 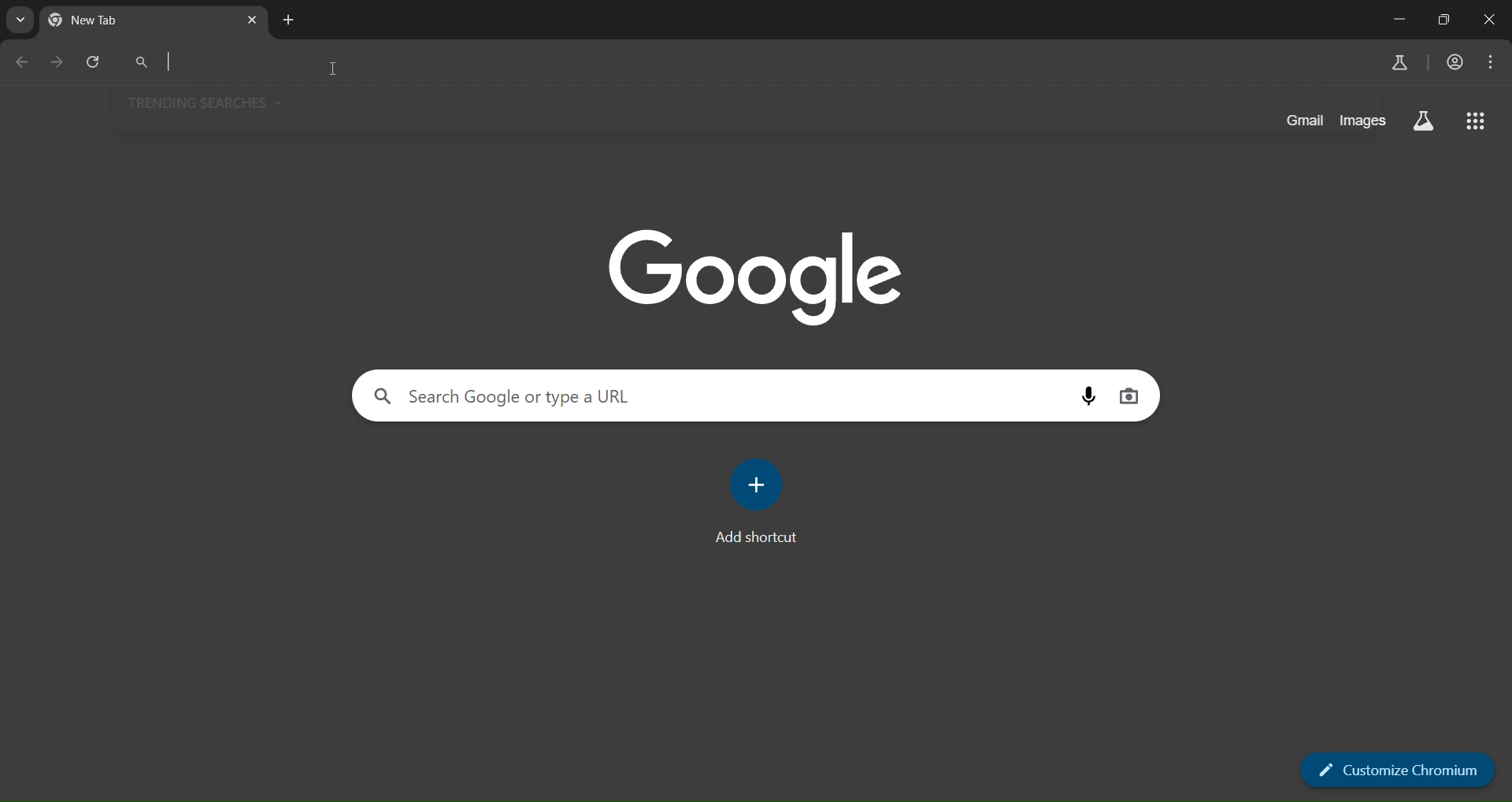 What do you see at coordinates (754, 271) in the screenshot?
I see `google` at bounding box center [754, 271].